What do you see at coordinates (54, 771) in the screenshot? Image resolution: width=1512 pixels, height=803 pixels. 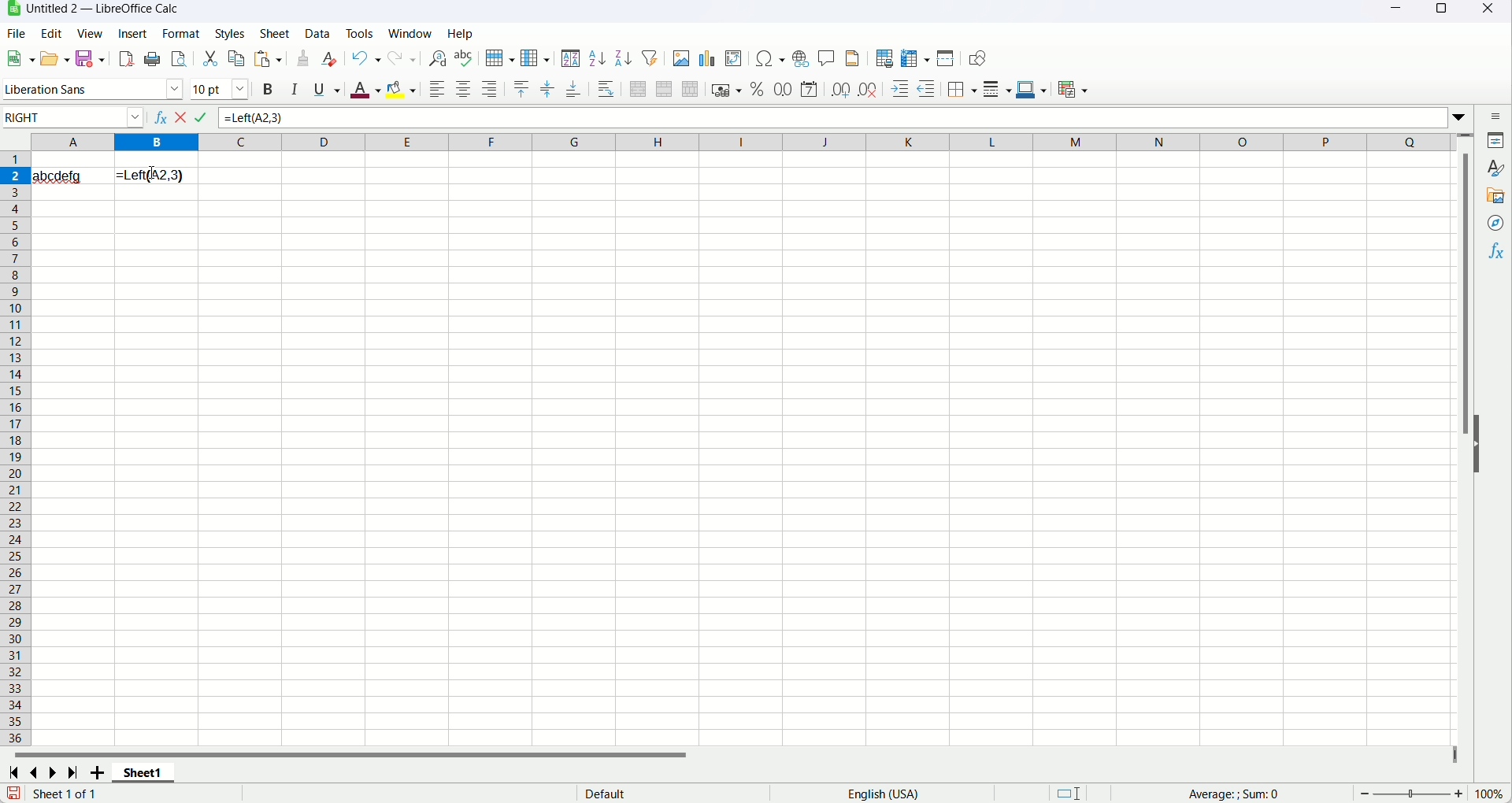 I see `scroll to next page` at bounding box center [54, 771].